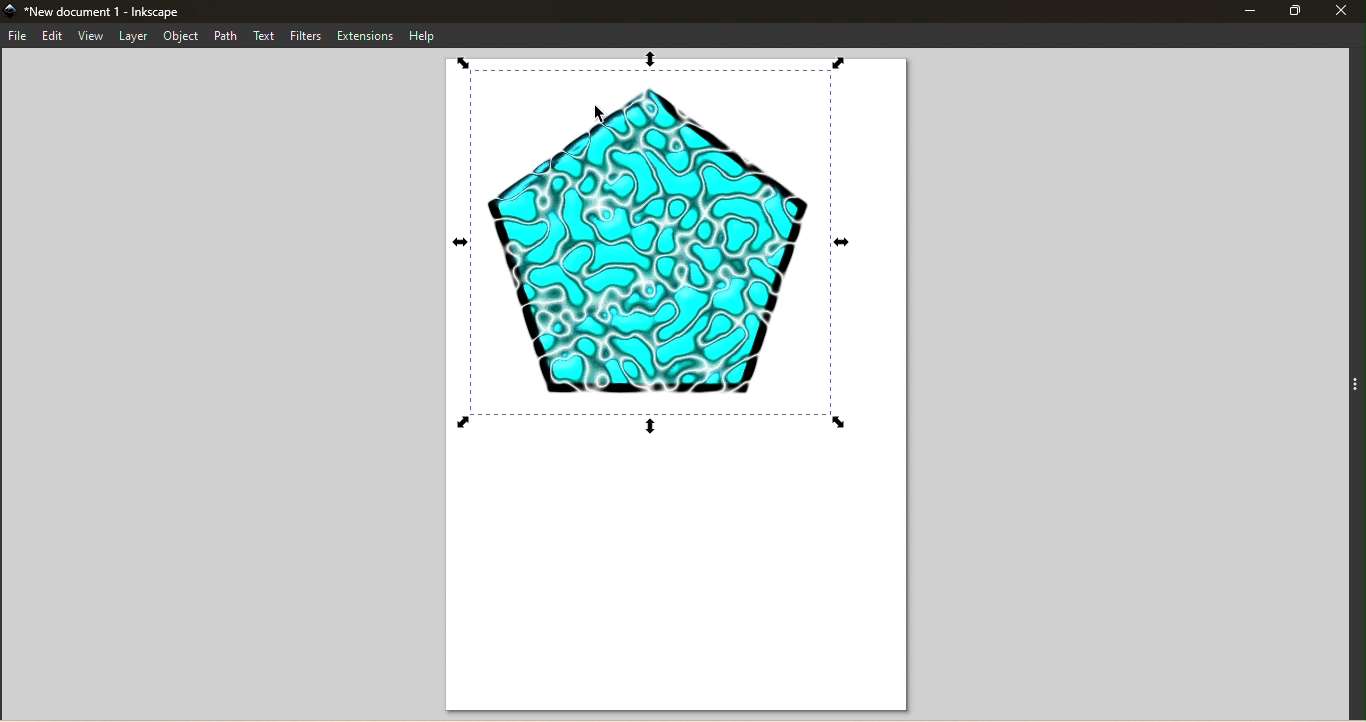 The image size is (1366, 722). I want to click on New document 1 - Inkscape, so click(109, 11).